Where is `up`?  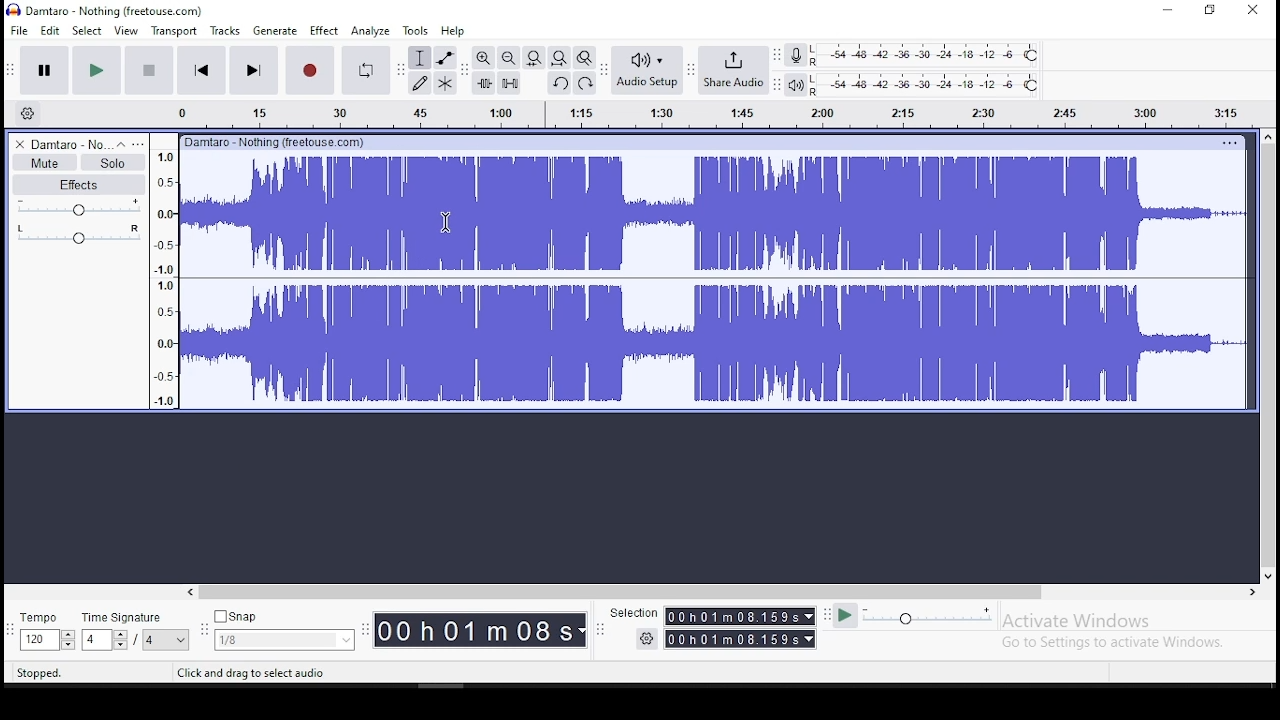
up is located at coordinates (1268, 136).